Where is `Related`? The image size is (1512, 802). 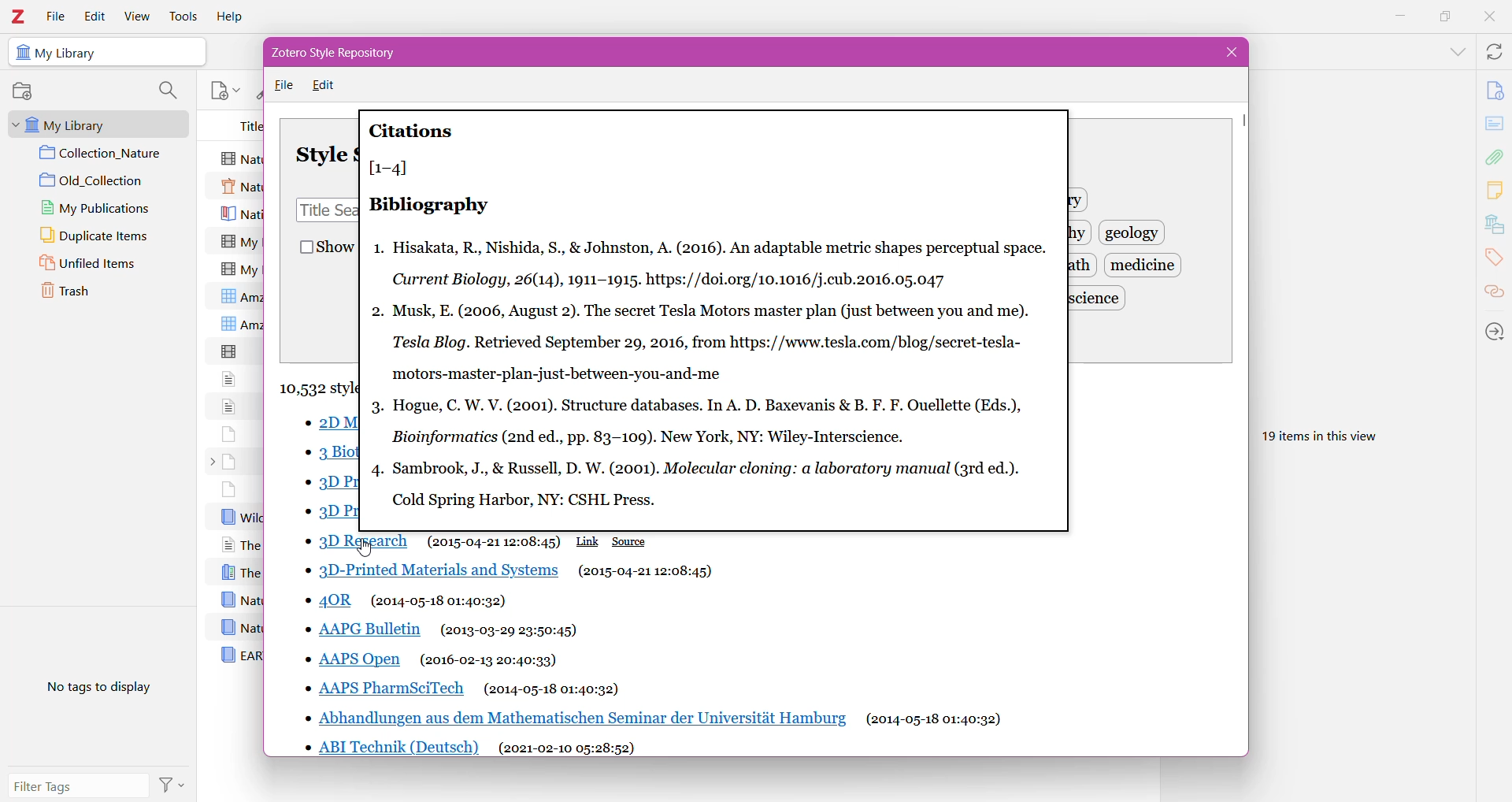
Related is located at coordinates (1494, 293).